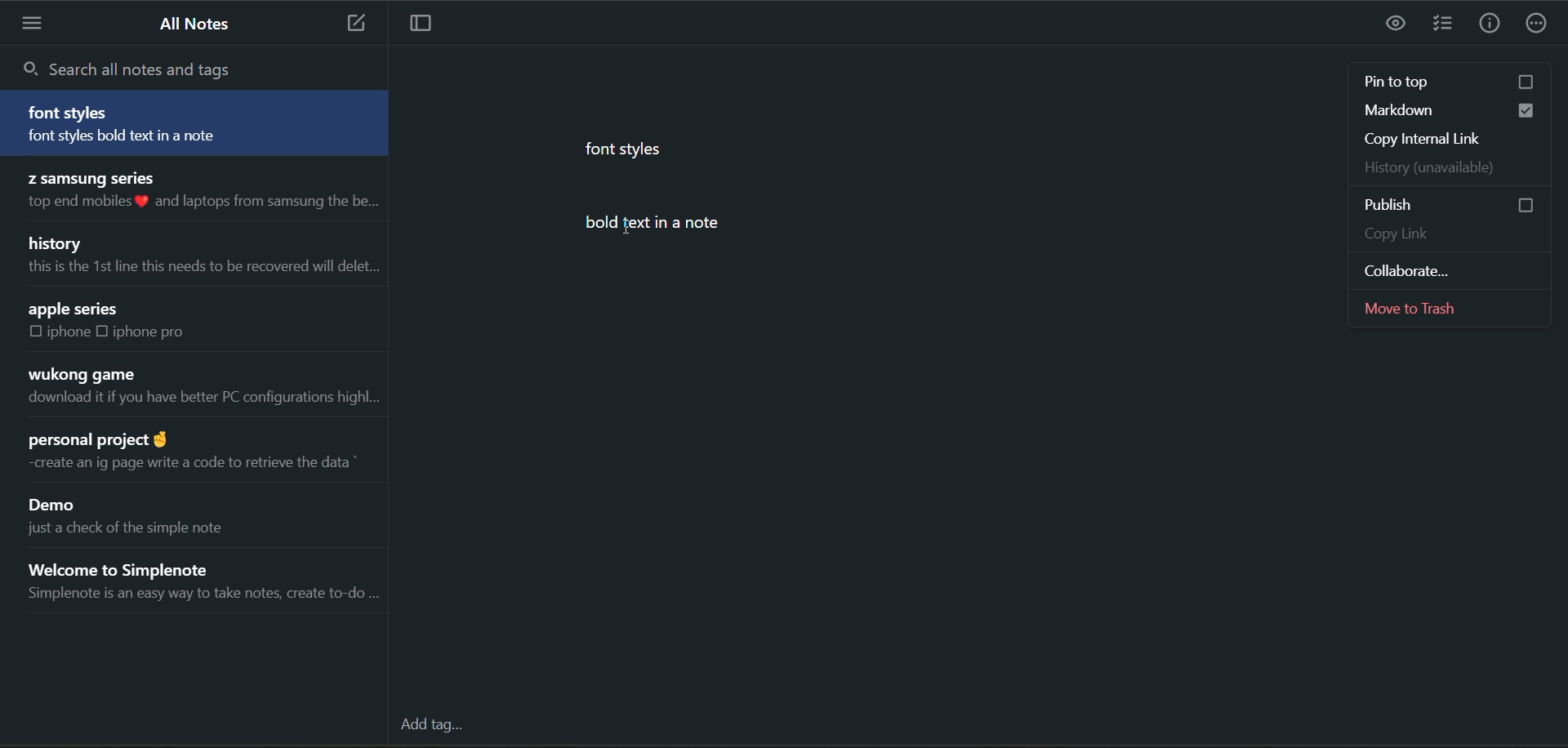 This screenshot has height=748, width=1568. What do you see at coordinates (628, 148) in the screenshot?
I see `font styles.` at bounding box center [628, 148].